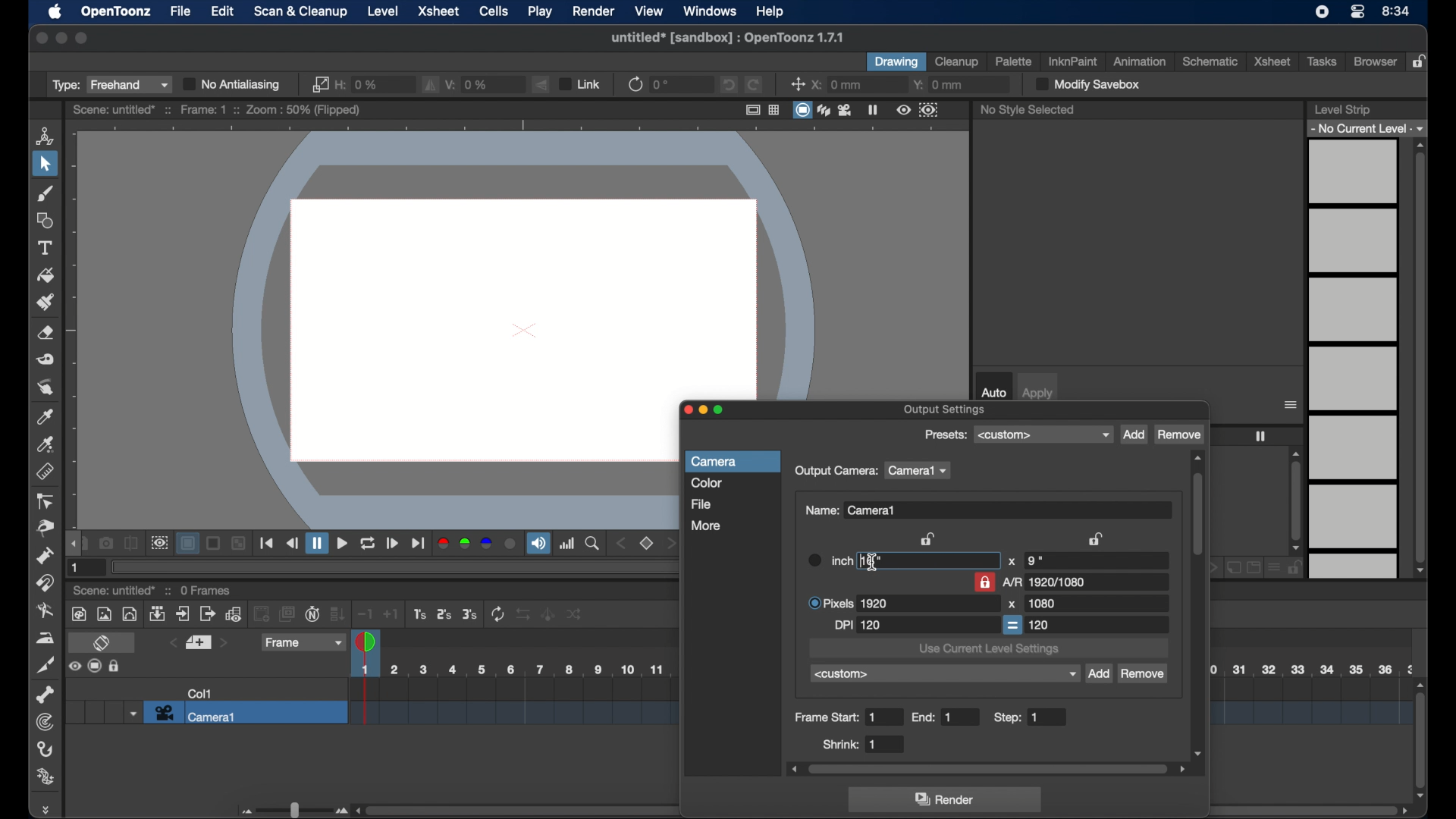 The height and width of the screenshot is (819, 1456). I want to click on tracker tool, so click(44, 722).